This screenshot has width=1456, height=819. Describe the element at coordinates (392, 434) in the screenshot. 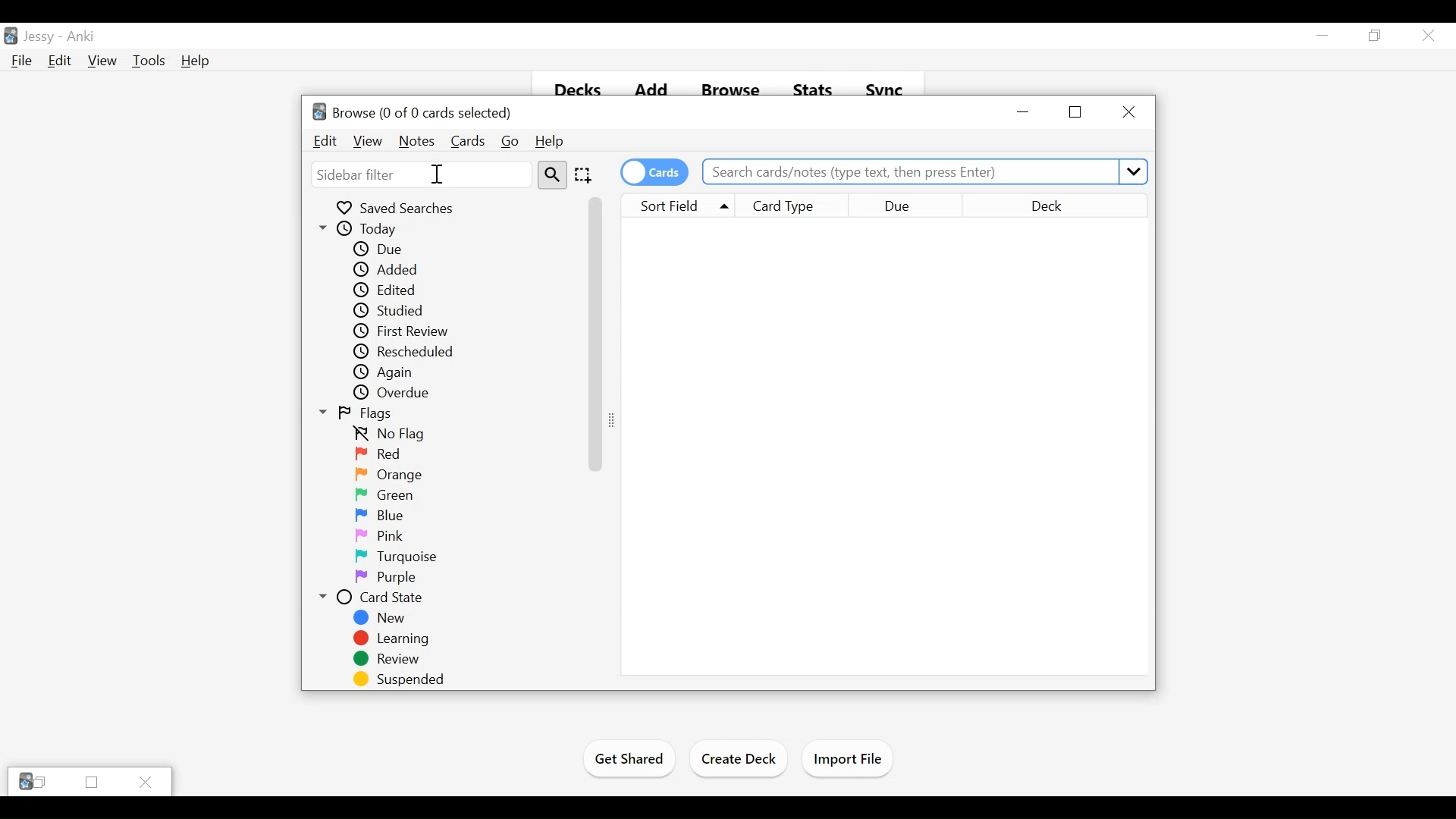

I see `No Flag` at that location.